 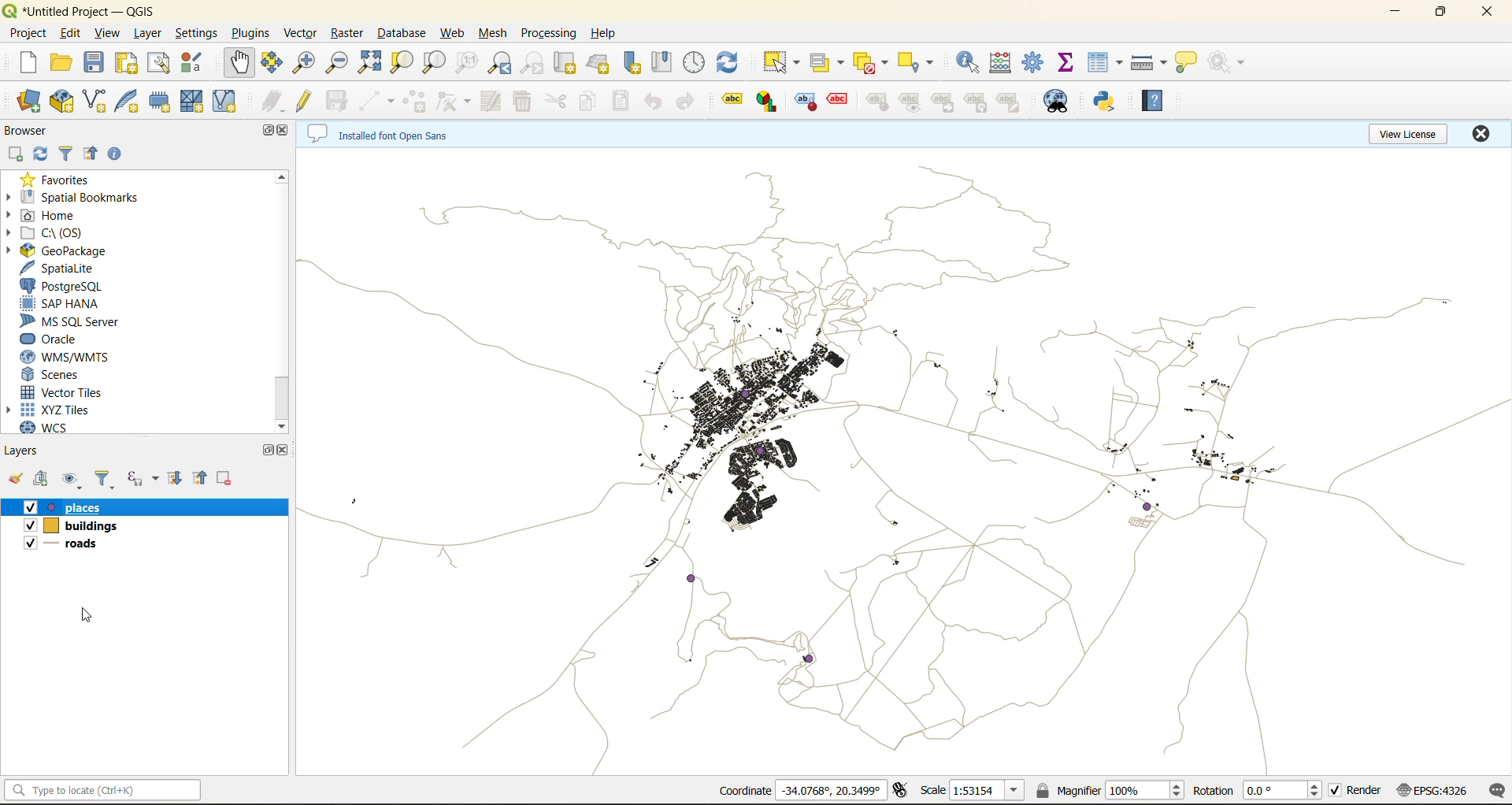 What do you see at coordinates (65, 269) in the screenshot?
I see `spatialite` at bounding box center [65, 269].